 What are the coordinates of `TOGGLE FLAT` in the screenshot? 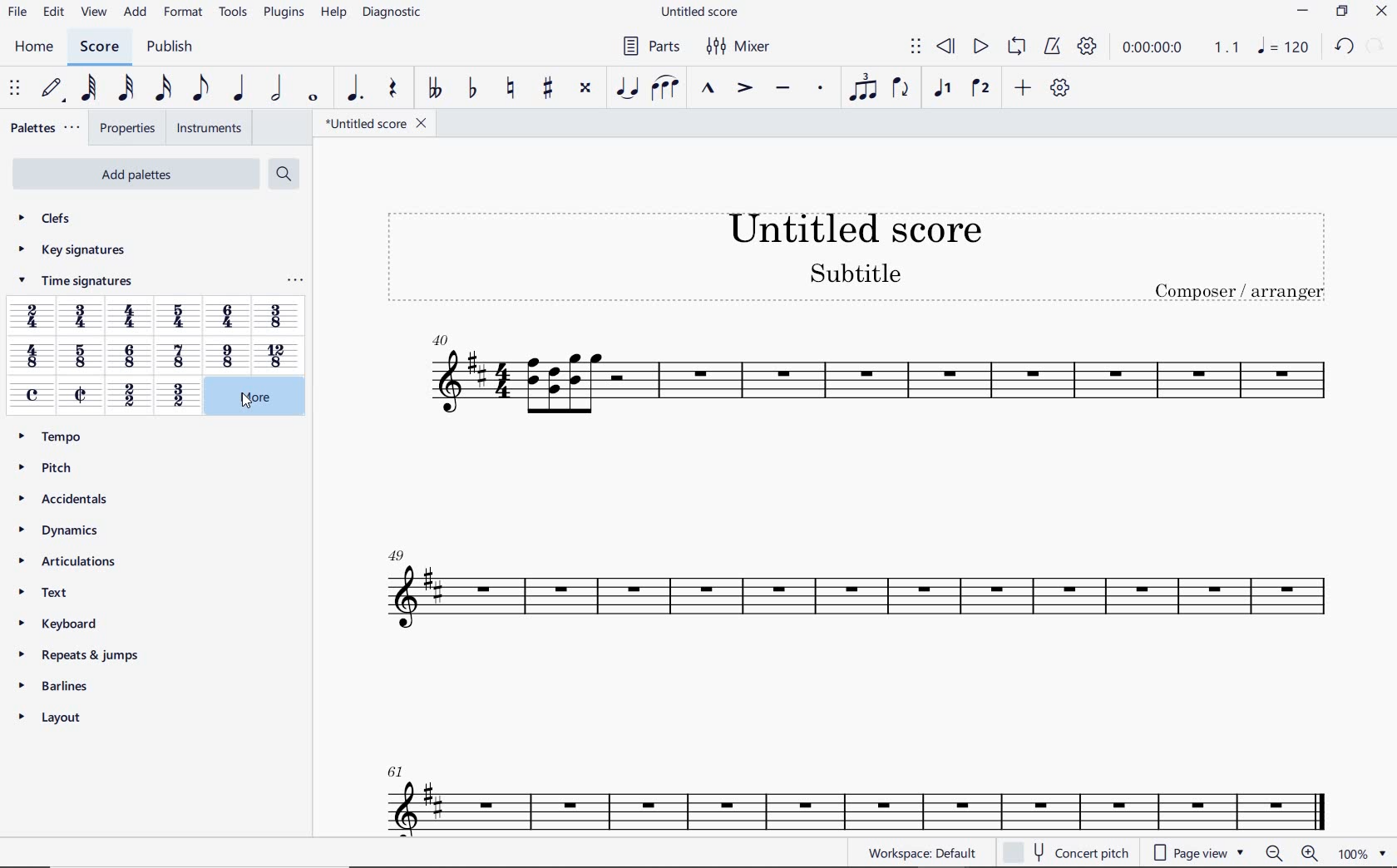 It's located at (471, 89).